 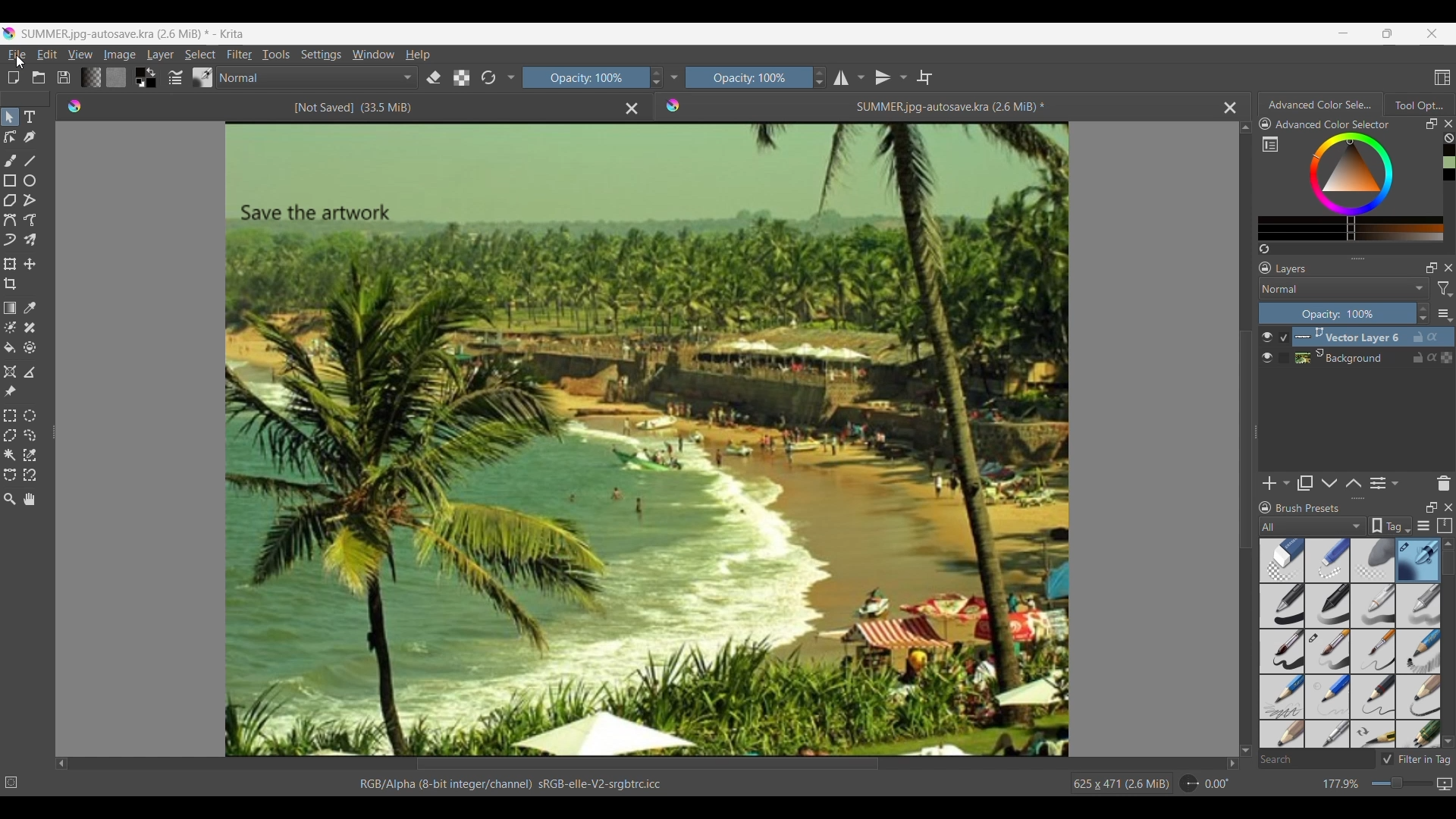 I want to click on Enclose and fill tool, so click(x=29, y=347).